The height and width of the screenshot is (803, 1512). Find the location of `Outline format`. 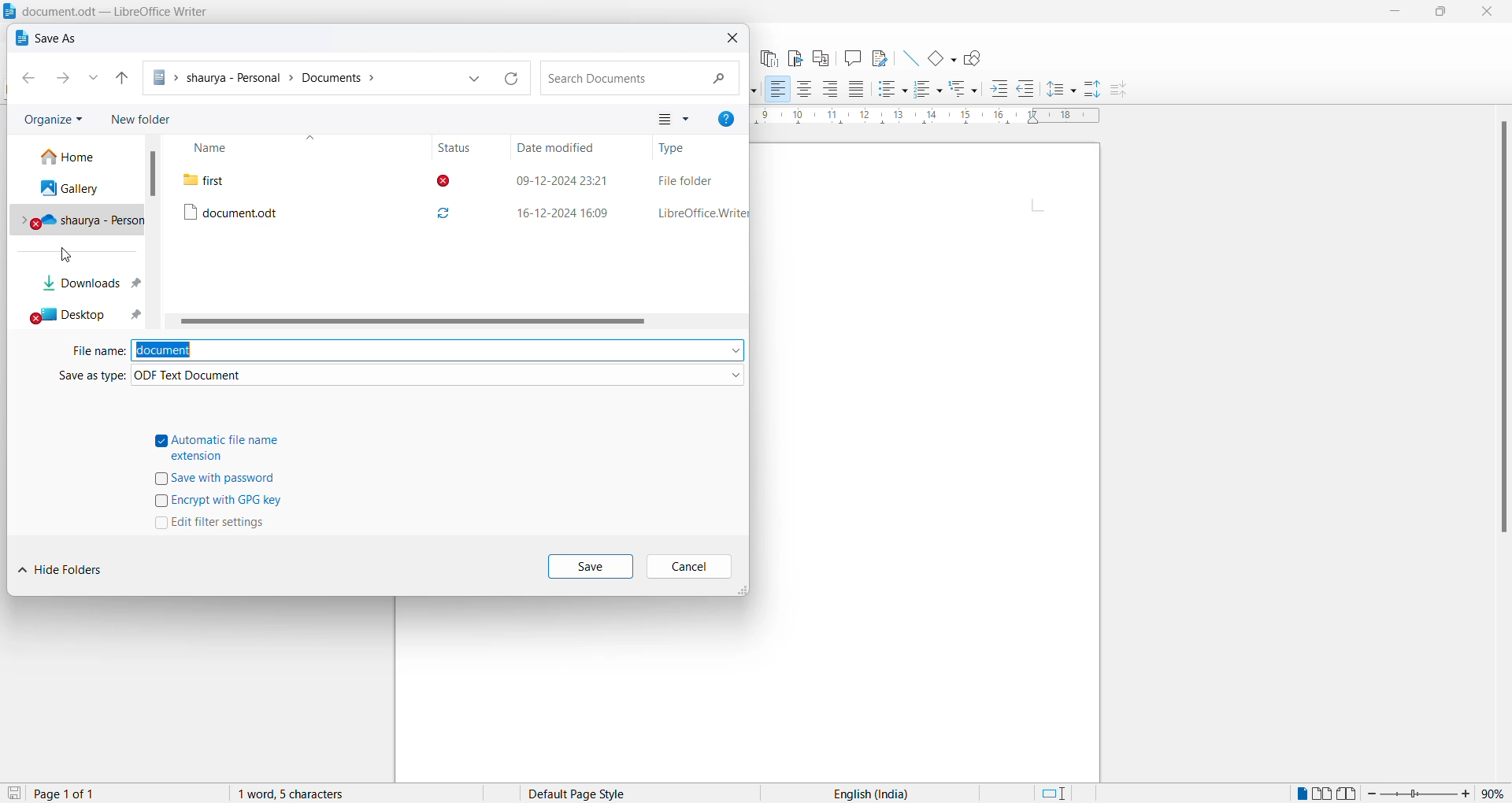

Outline format is located at coordinates (965, 90).